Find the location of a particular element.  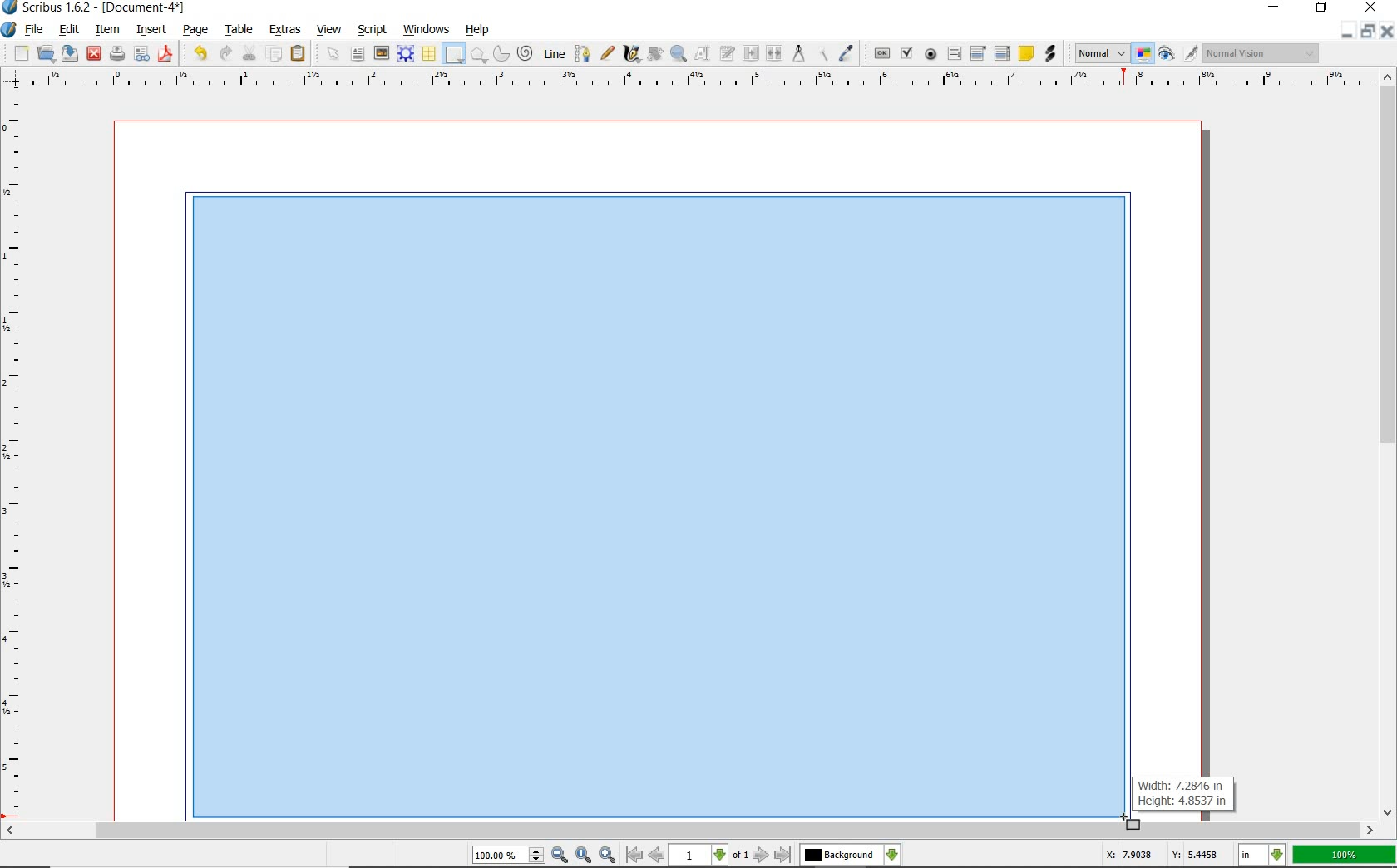

link text frames is located at coordinates (748, 52).